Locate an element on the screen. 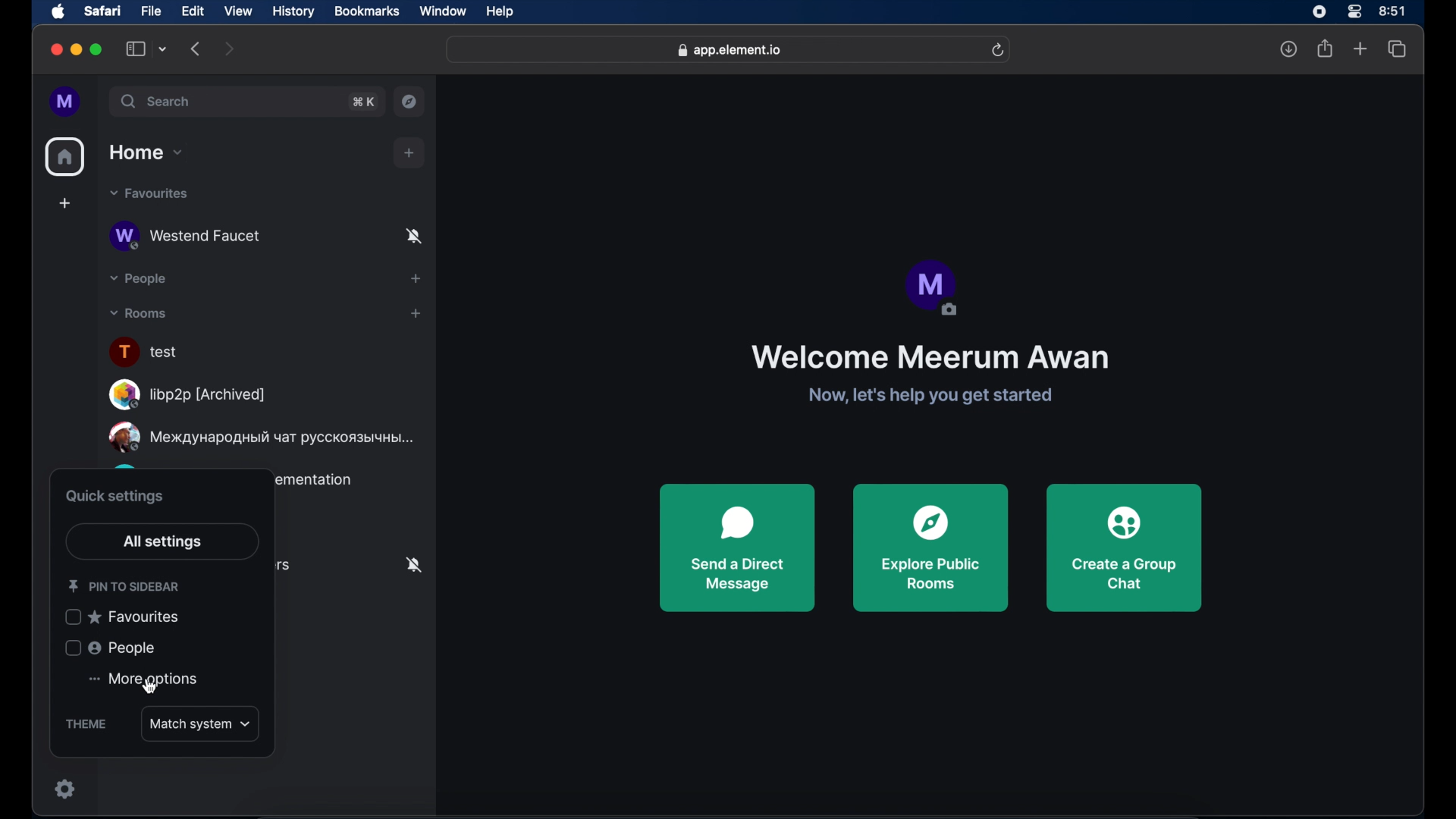 The height and width of the screenshot is (819, 1456). public room is located at coordinates (261, 438).